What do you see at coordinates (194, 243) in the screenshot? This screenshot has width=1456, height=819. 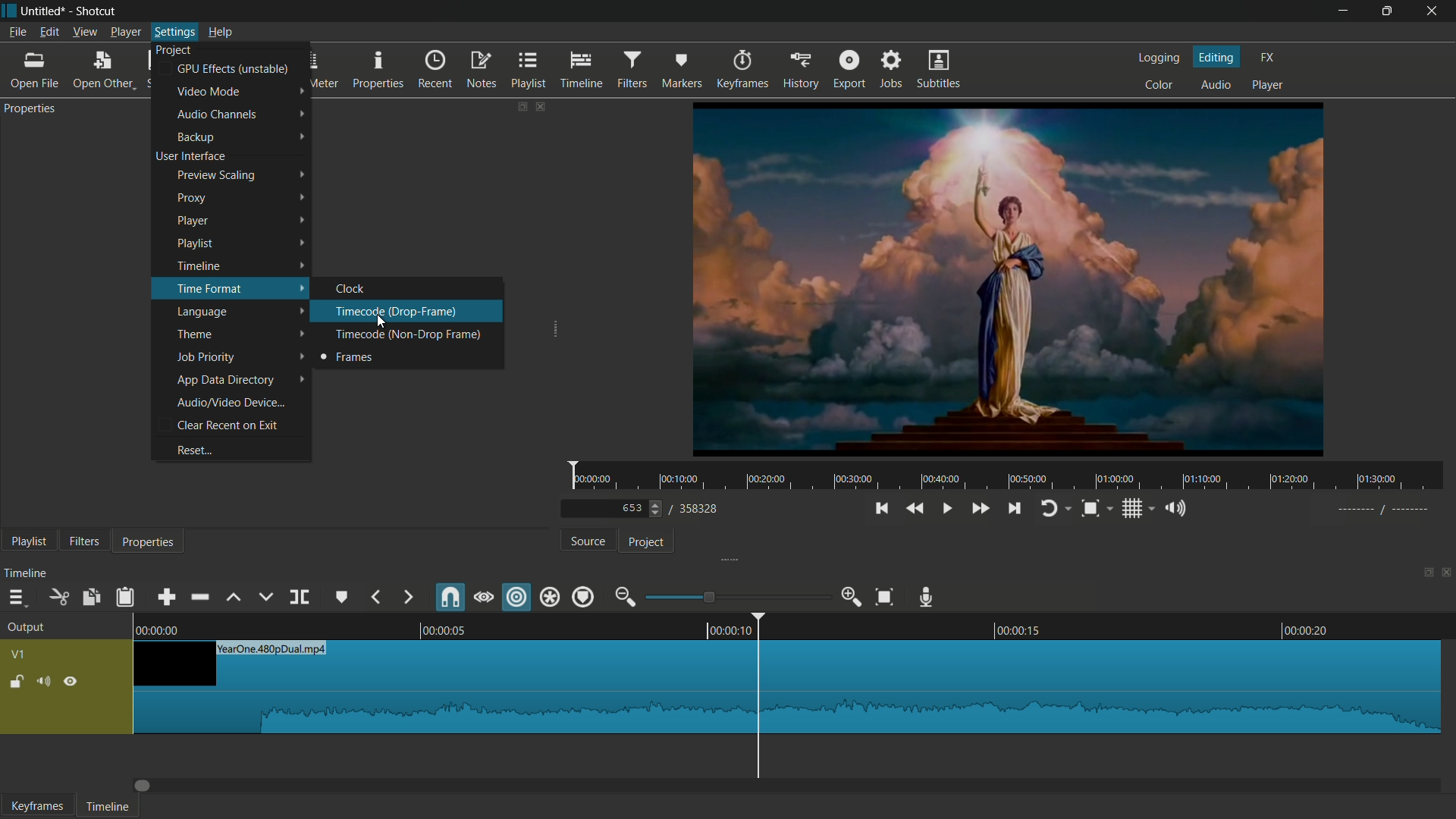 I see `playlist` at bounding box center [194, 243].